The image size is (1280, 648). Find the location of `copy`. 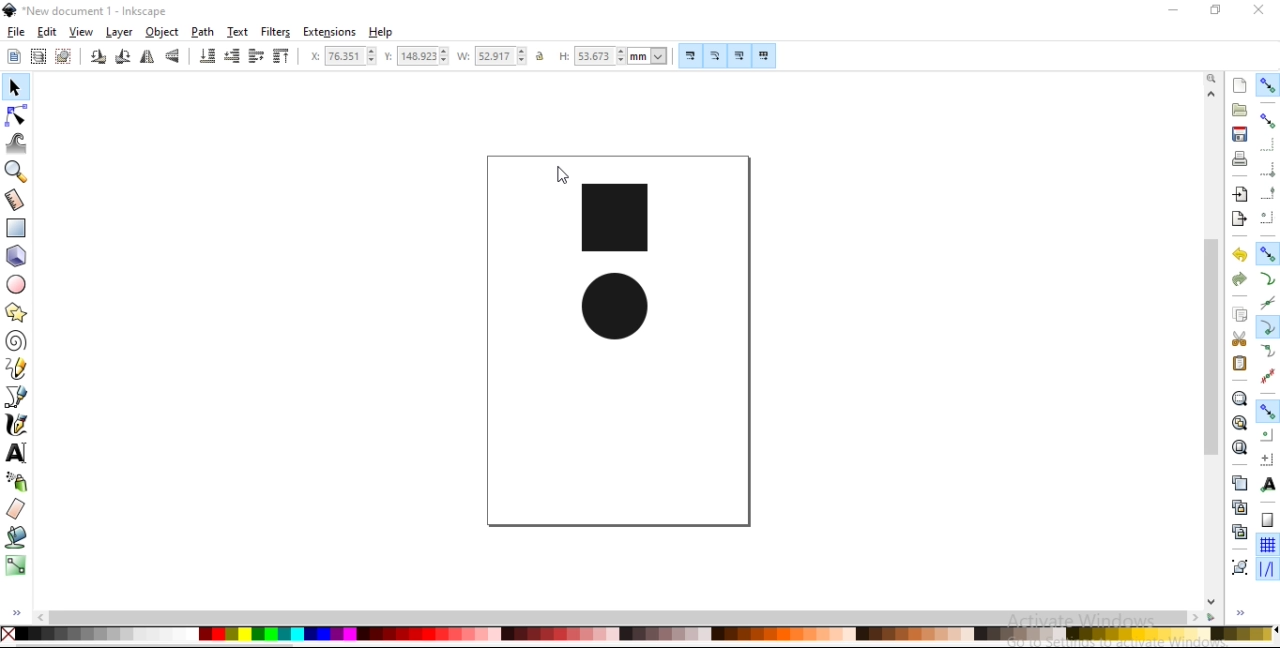

copy is located at coordinates (1241, 316).